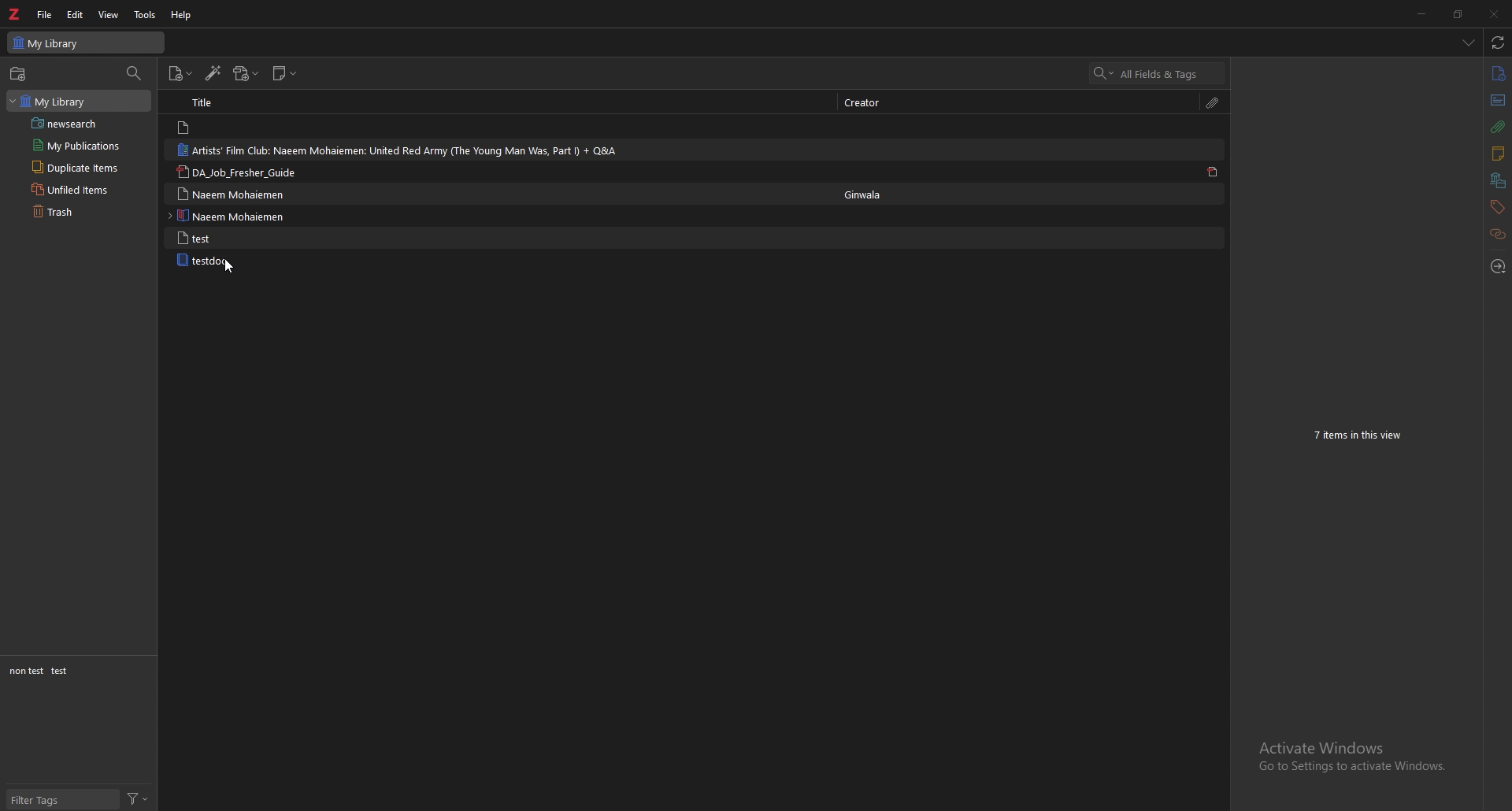 The image size is (1512, 811). I want to click on 7 items in this view, so click(1361, 436).